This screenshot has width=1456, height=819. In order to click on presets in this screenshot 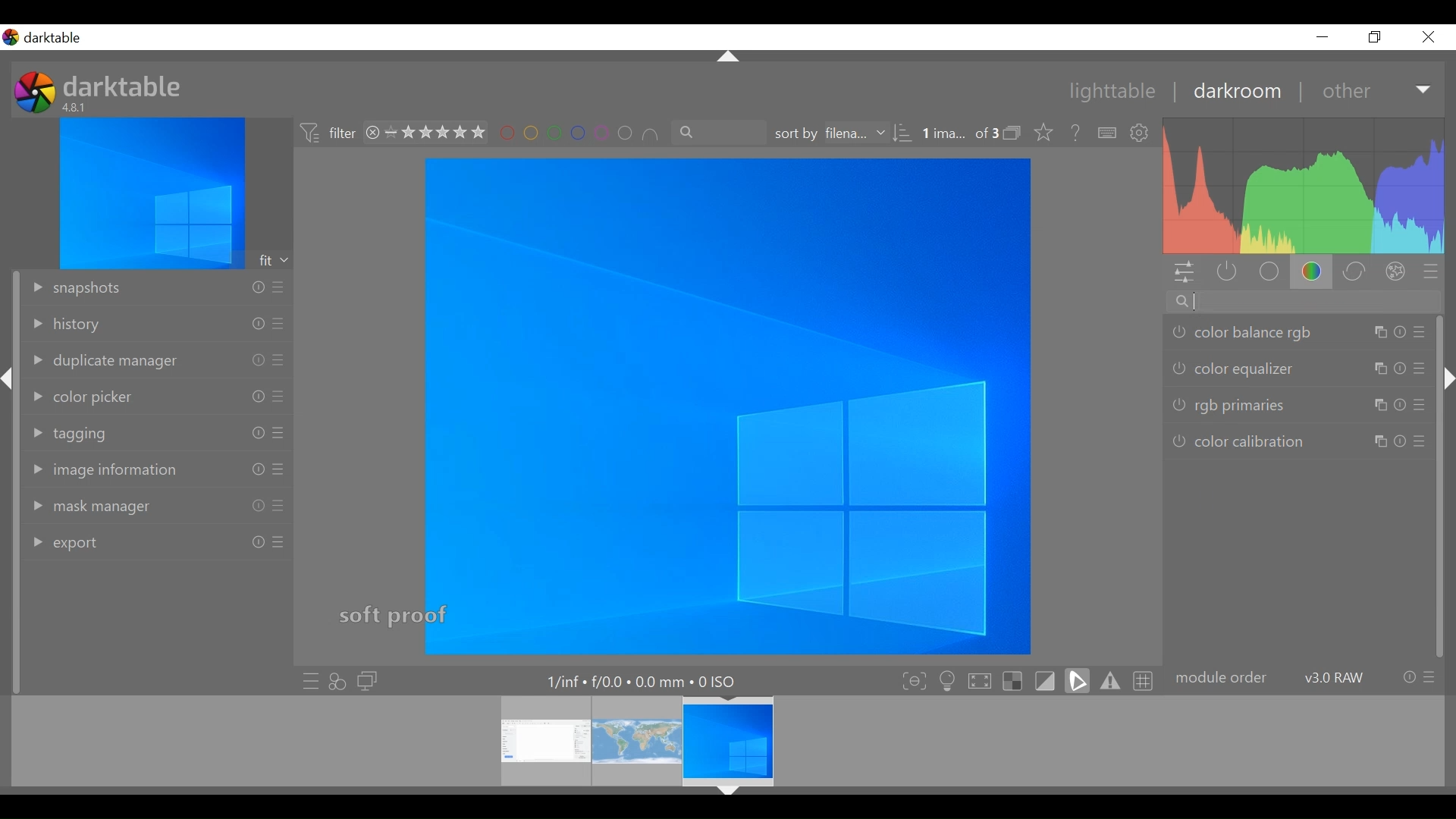, I will do `click(277, 287)`.